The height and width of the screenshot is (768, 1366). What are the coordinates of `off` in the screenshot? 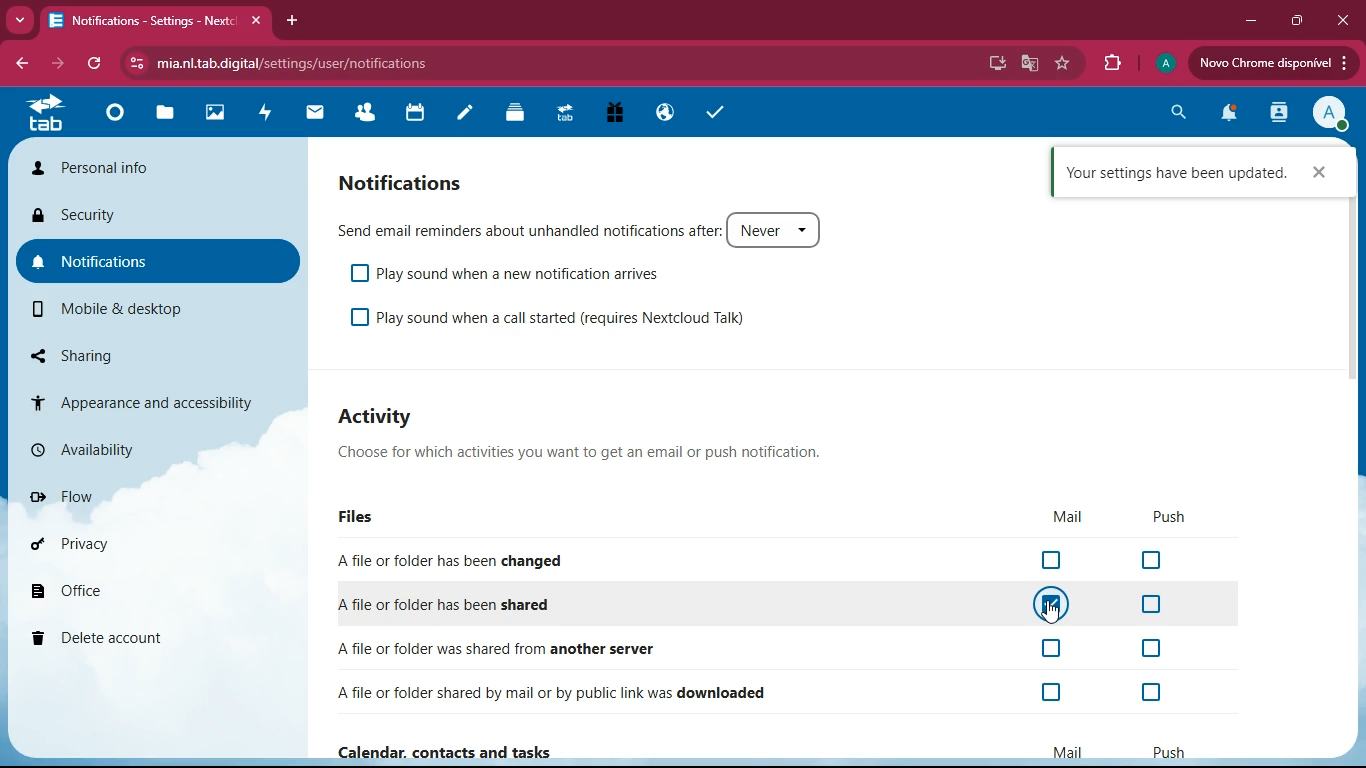 It's located at (1153, 649).